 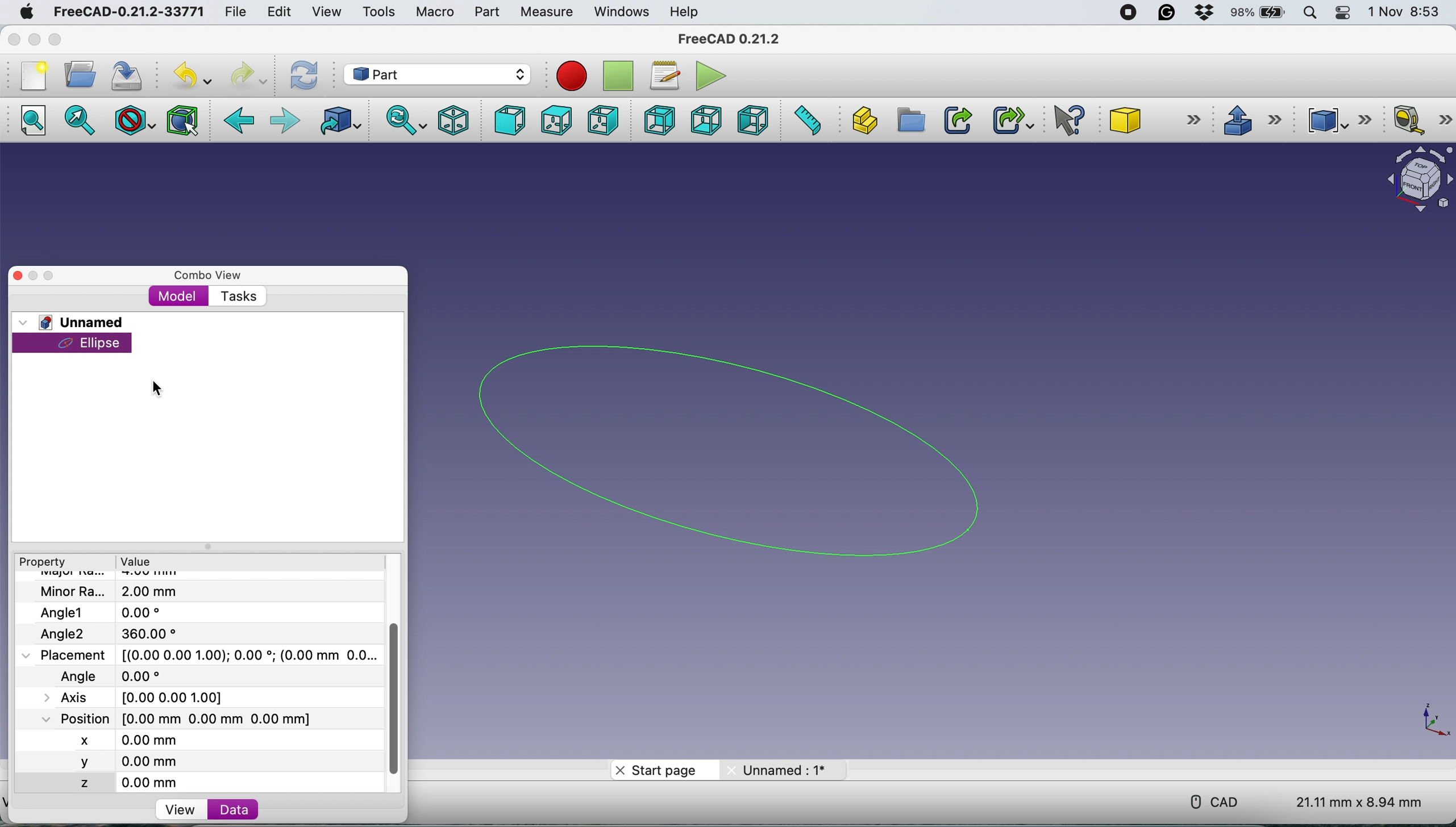 I want to click on object interface, so click(x=1411, y=177).